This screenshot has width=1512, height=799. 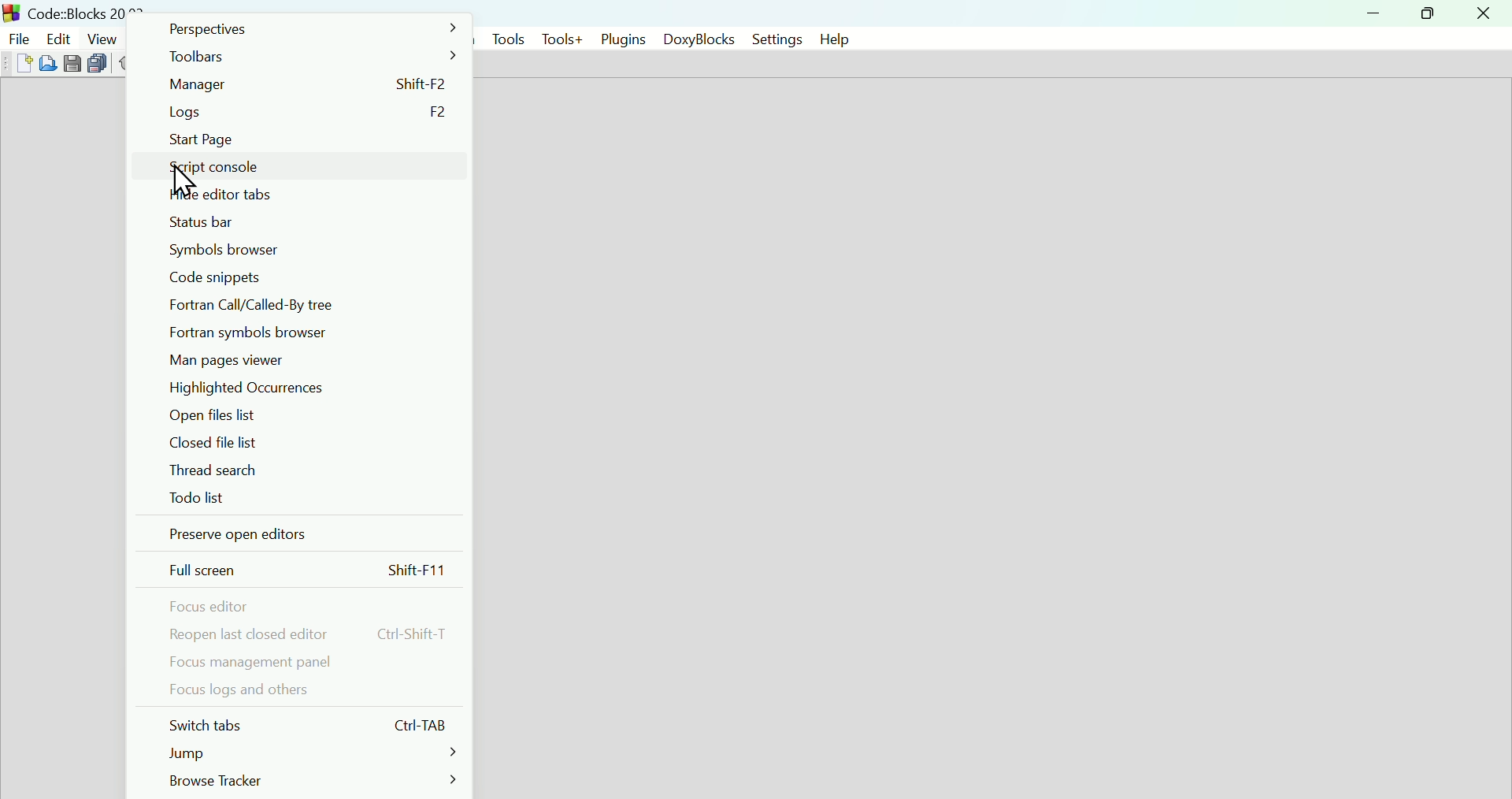 I want to click on Symbol browser, so click(x=303, y=251).